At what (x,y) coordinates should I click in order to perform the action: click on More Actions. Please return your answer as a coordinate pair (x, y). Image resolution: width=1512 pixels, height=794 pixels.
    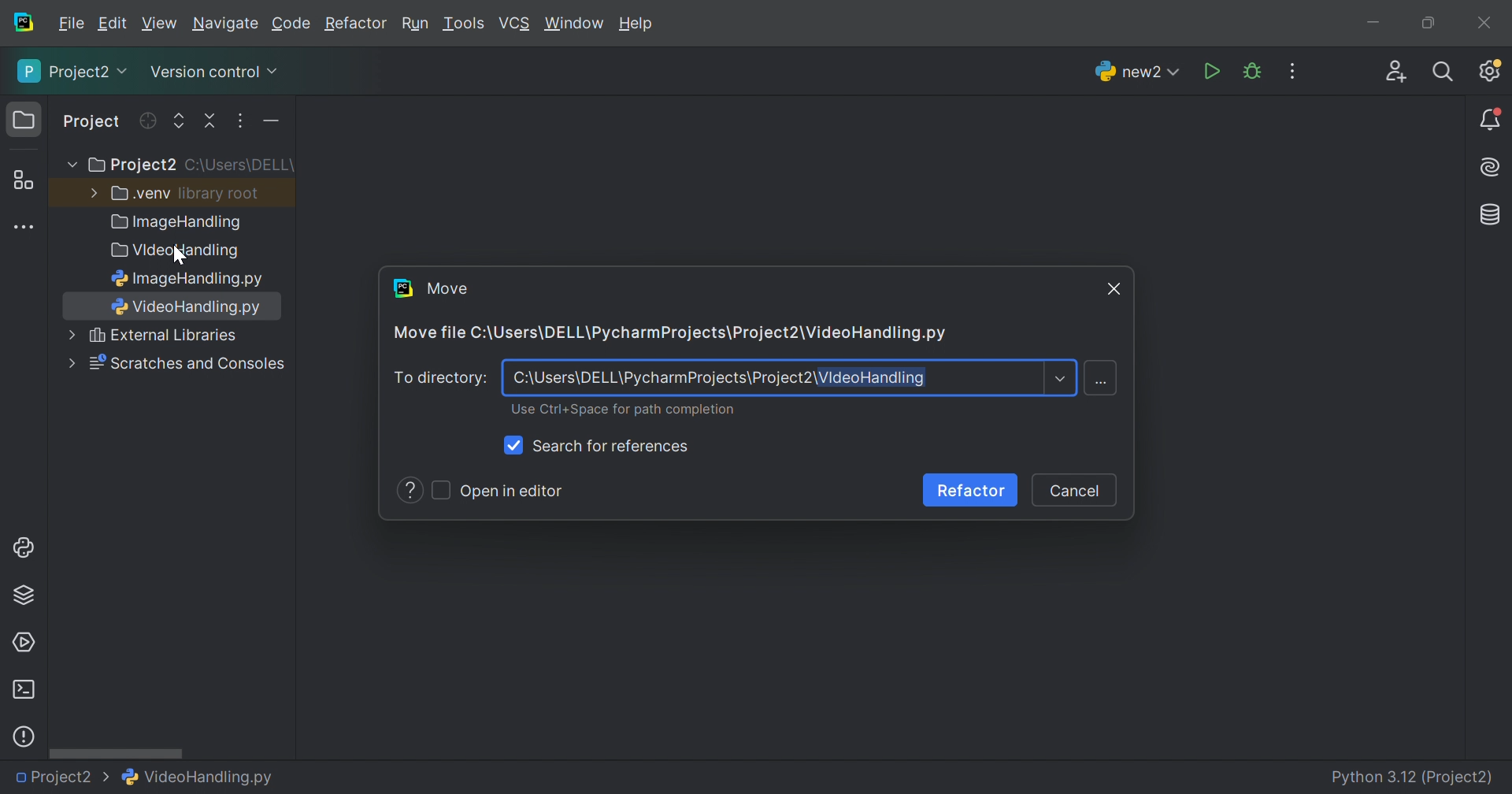
    Looking at the image, I should click on (1292, 71).